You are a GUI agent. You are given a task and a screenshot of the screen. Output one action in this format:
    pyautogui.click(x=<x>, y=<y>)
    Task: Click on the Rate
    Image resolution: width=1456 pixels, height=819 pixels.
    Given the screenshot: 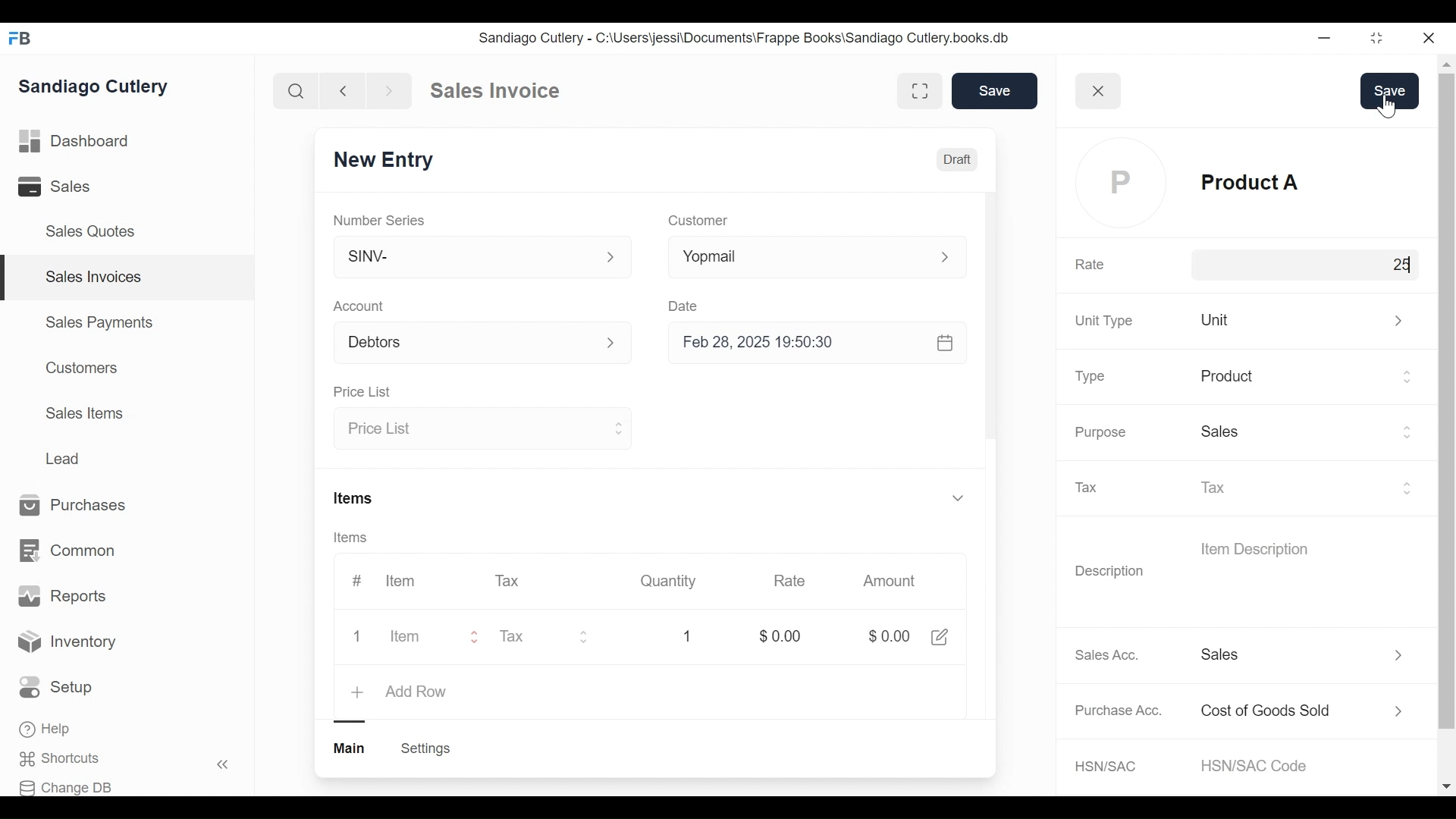 What is the action you would take?
    pyautogui.click(x=789, y=581)
    